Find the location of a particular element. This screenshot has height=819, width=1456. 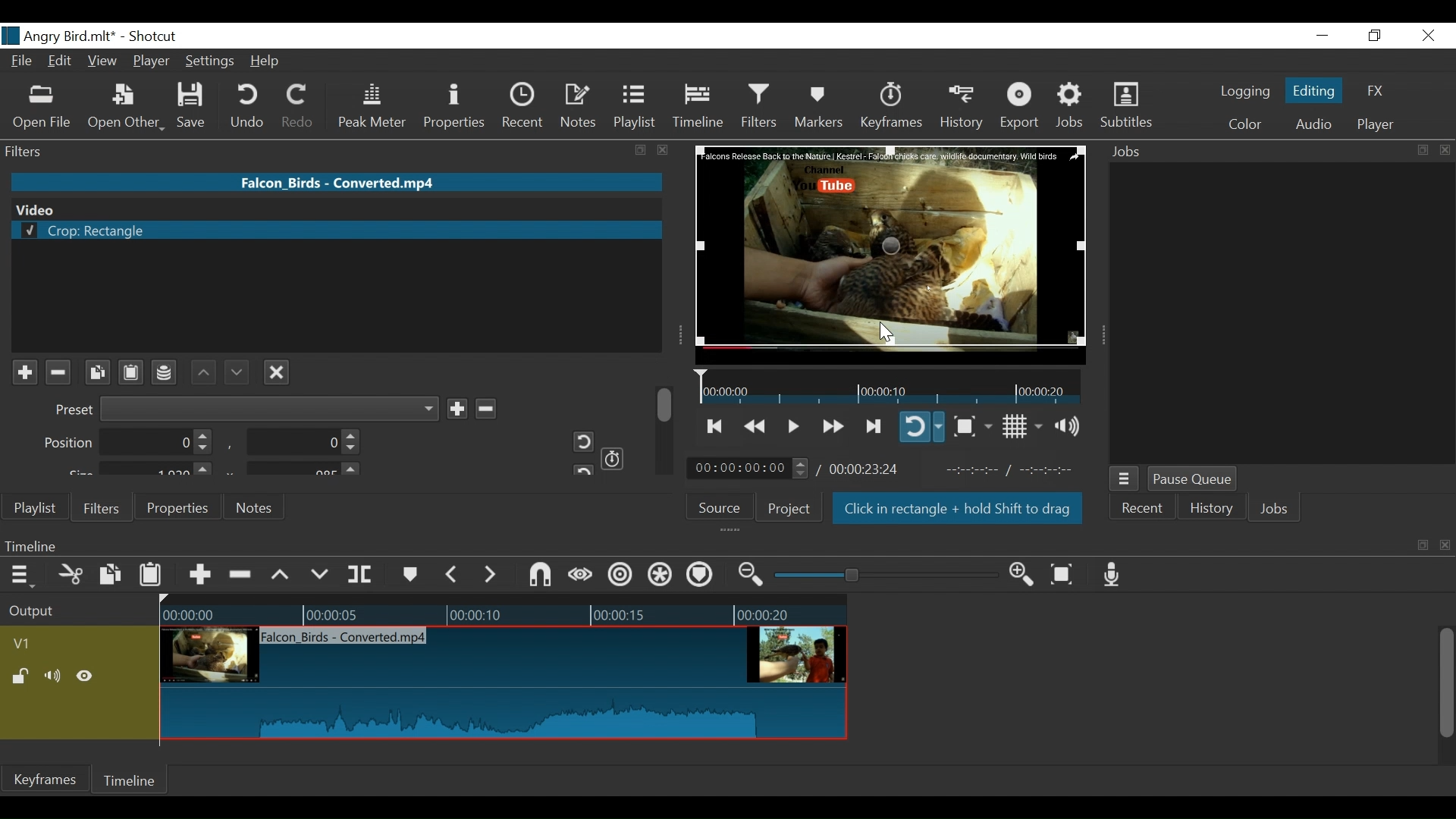

Toggle display grid on player is located at coordinates (1025, 426).